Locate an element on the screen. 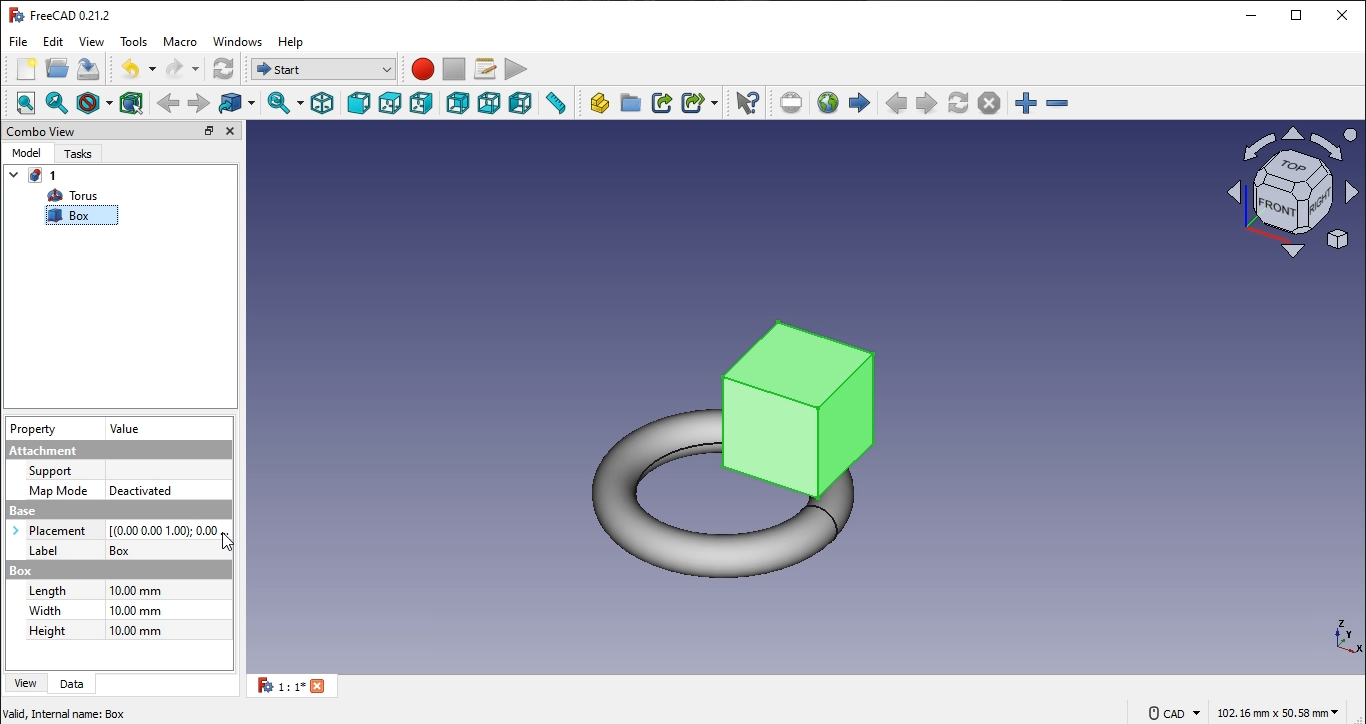 The image size is (1366, 724). whats this is located at coordinates (747, 101).